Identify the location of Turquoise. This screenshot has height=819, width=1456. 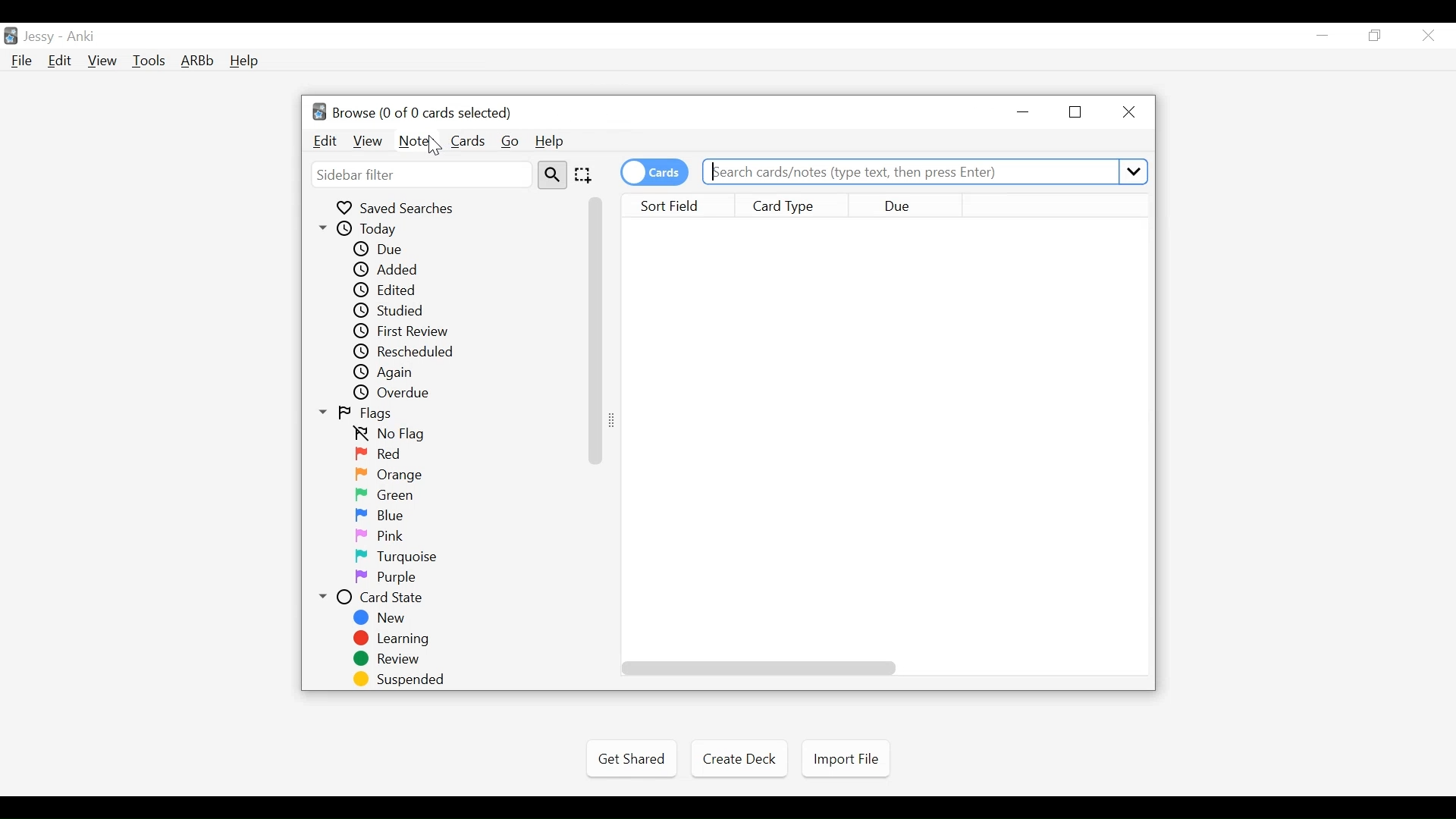
(400, 557).